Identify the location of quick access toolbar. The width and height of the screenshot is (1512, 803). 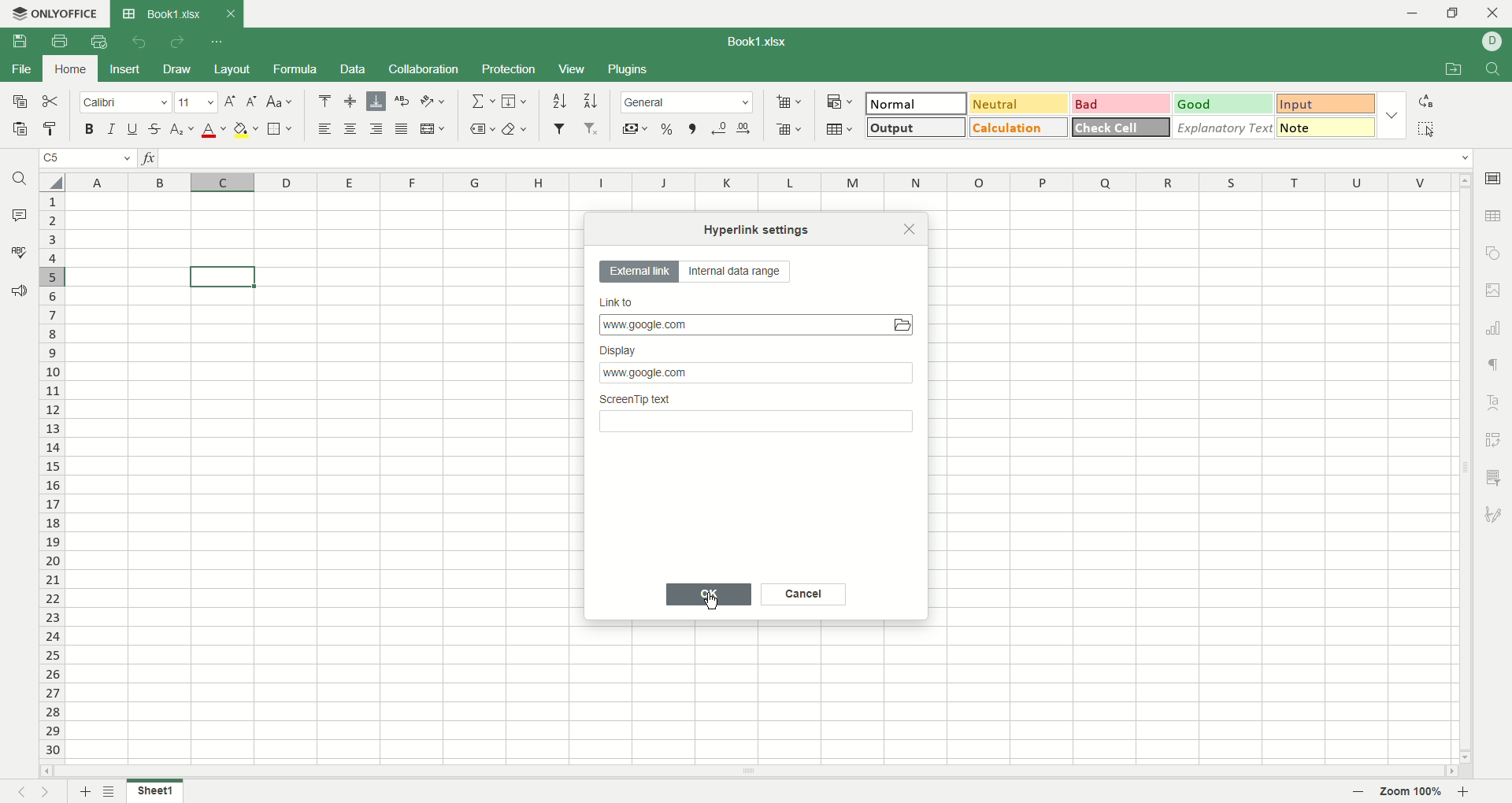
(218, 43).